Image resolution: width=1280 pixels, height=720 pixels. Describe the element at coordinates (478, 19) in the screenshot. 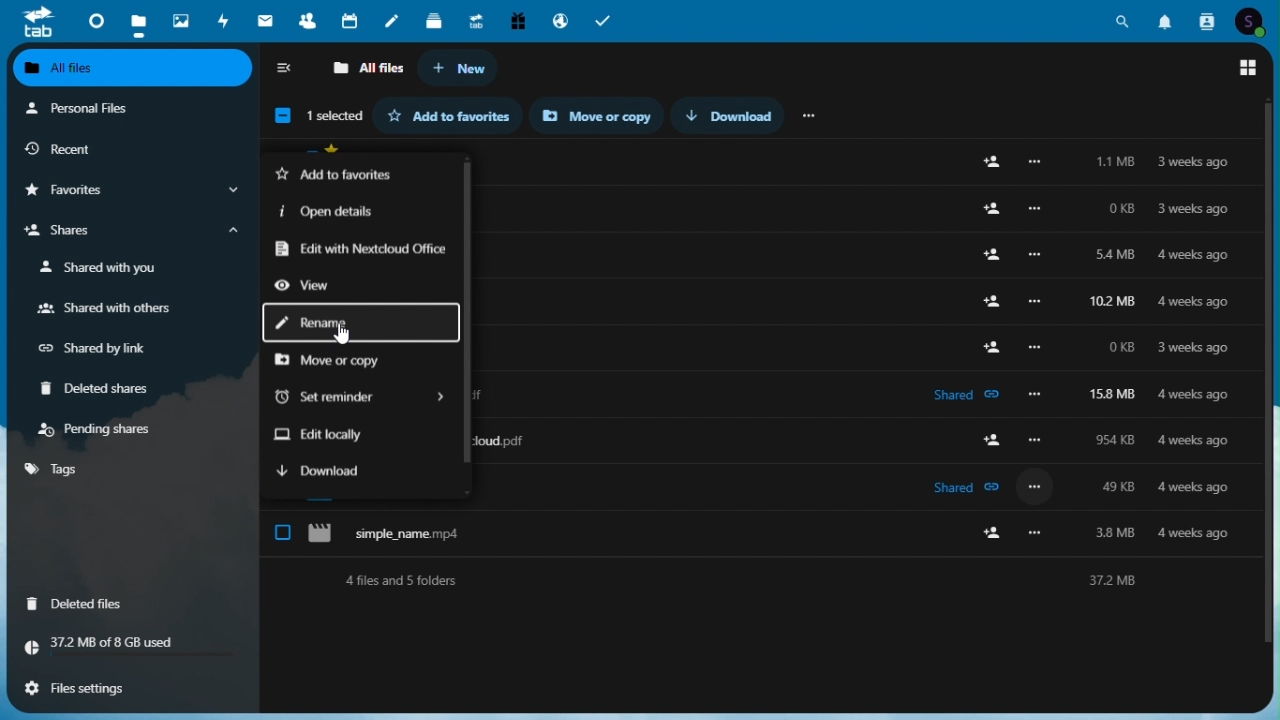

I see `upgrade` at that location.